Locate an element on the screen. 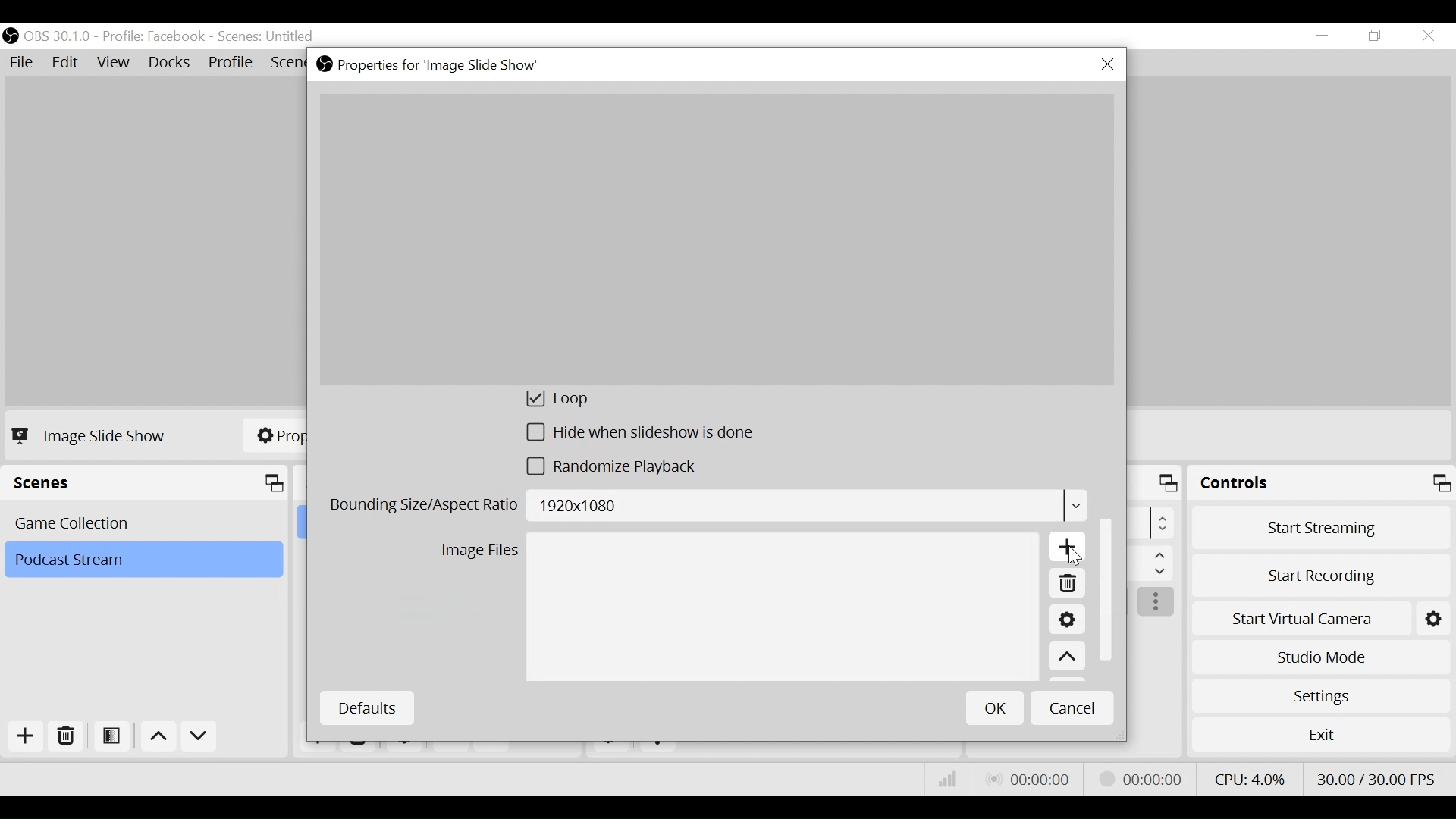 This screenshot has width=1456, height=819. Image File Field is located at coordinates (782, 608).